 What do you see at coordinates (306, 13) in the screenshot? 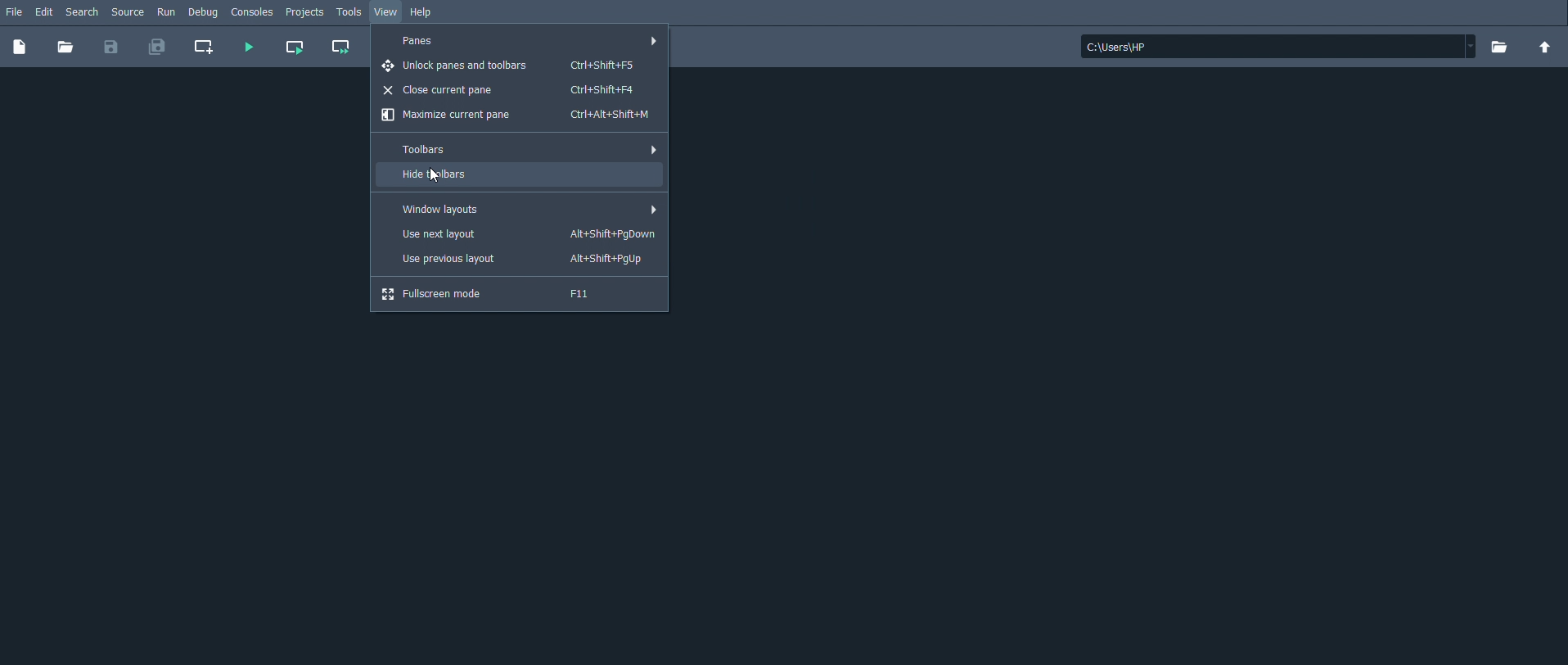
I see `Projects` at bounding box center [306, 13].